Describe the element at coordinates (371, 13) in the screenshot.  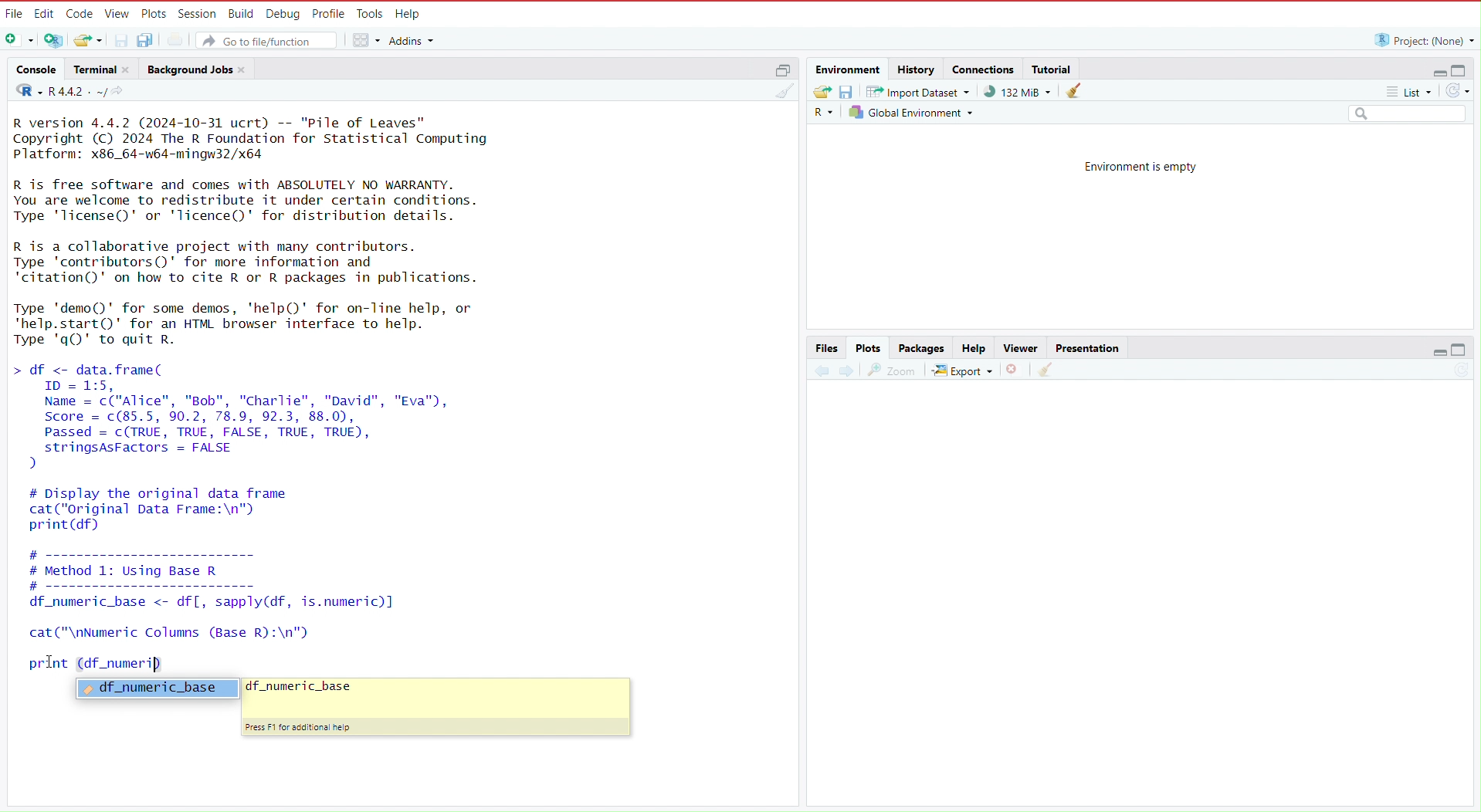
I see `Tools` at that location.